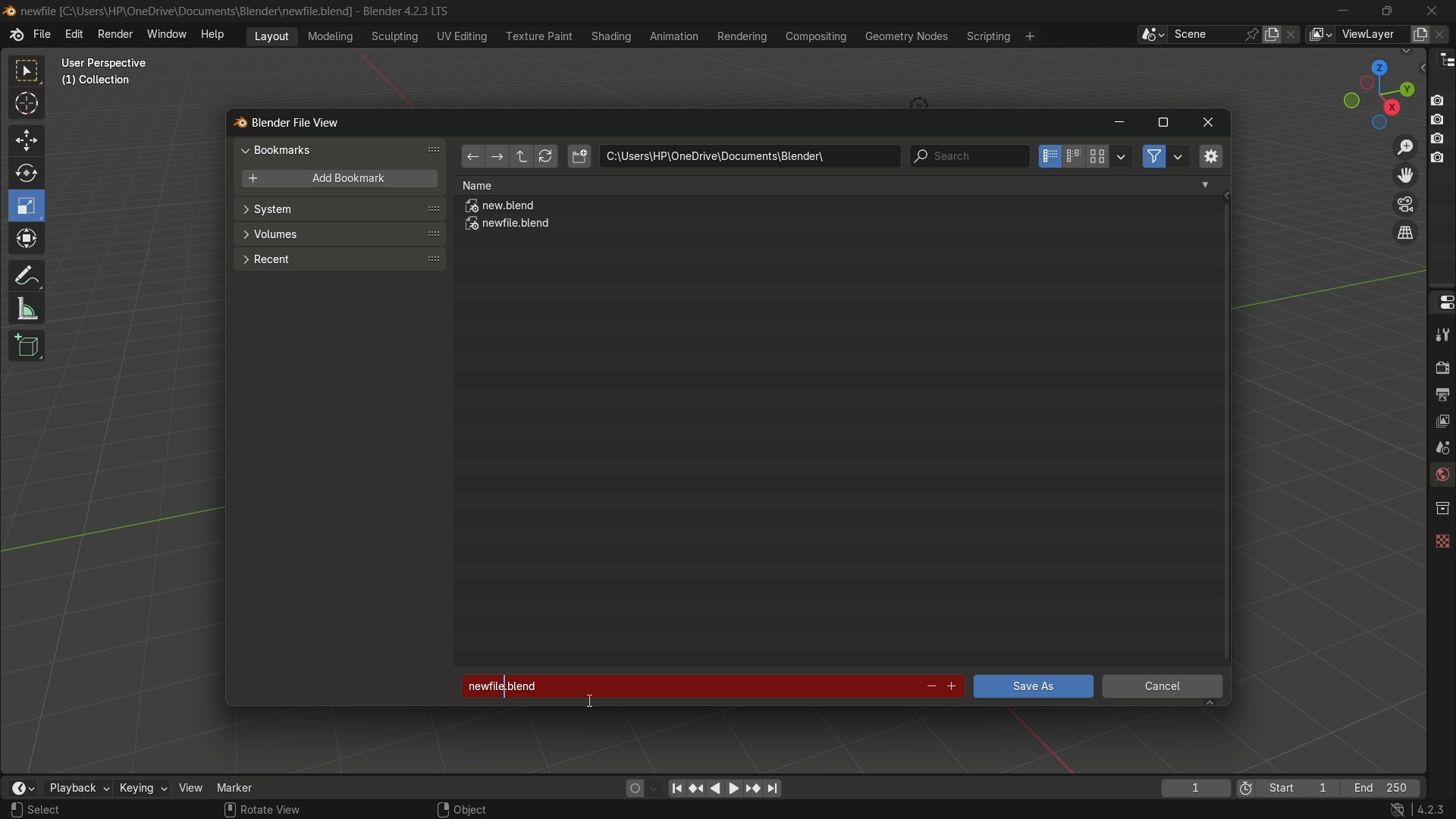  What do you see at coordinates (1028, 36) in the screenshot?
I see `add workspace` at bounding box center [1028, 36].